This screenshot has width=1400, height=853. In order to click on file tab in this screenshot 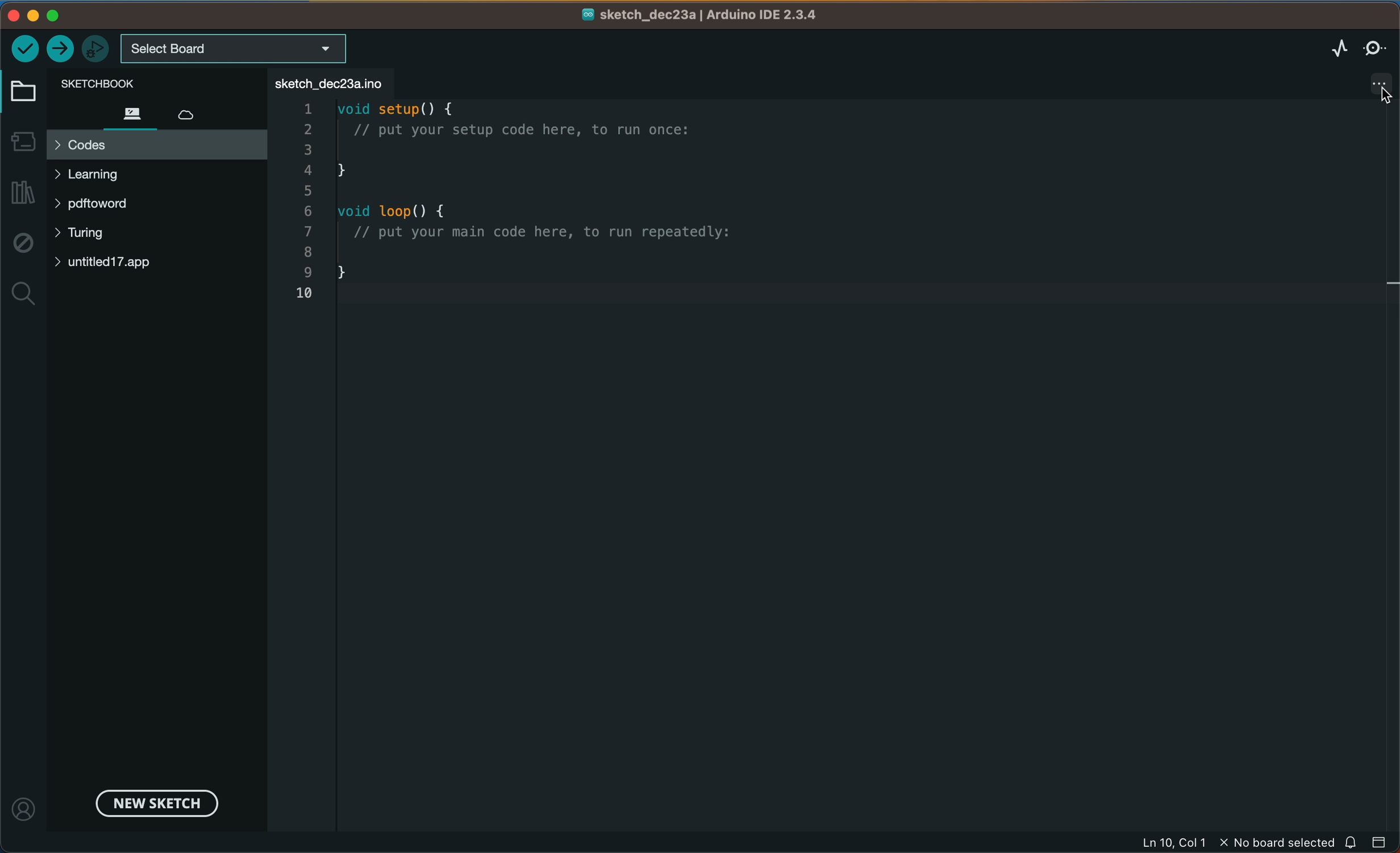, I will do `click(332, 82)`.